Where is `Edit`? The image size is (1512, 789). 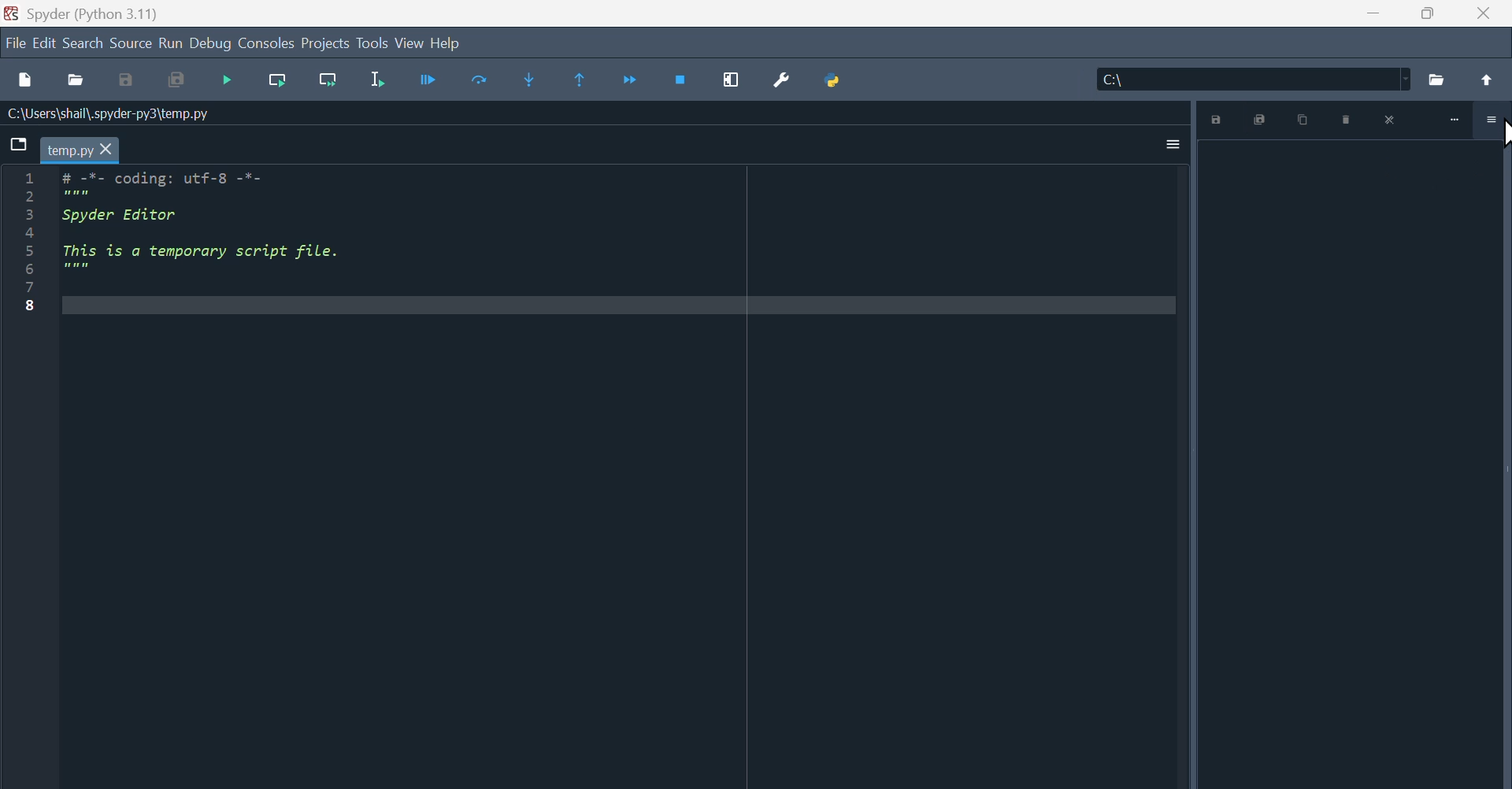 Edit is located at coordinates (43, 43).